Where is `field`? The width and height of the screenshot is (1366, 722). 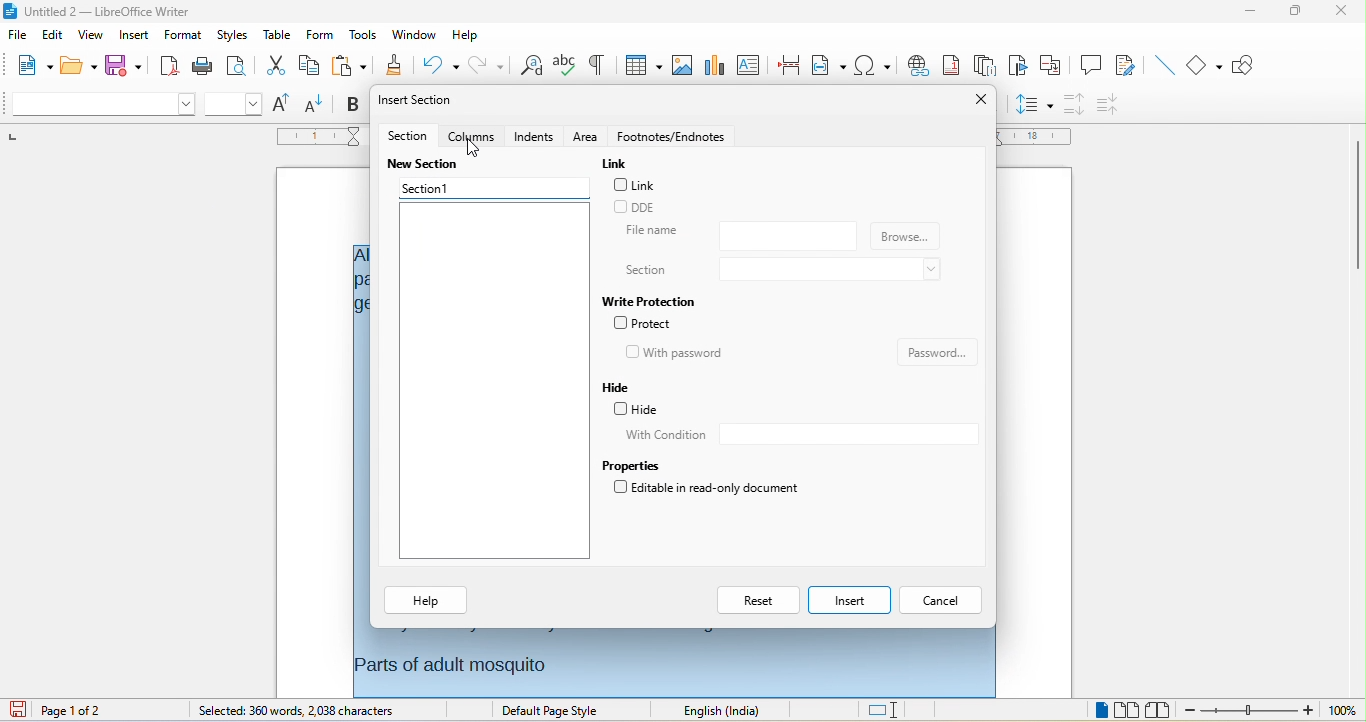 field is located at coordinates (829, 65).